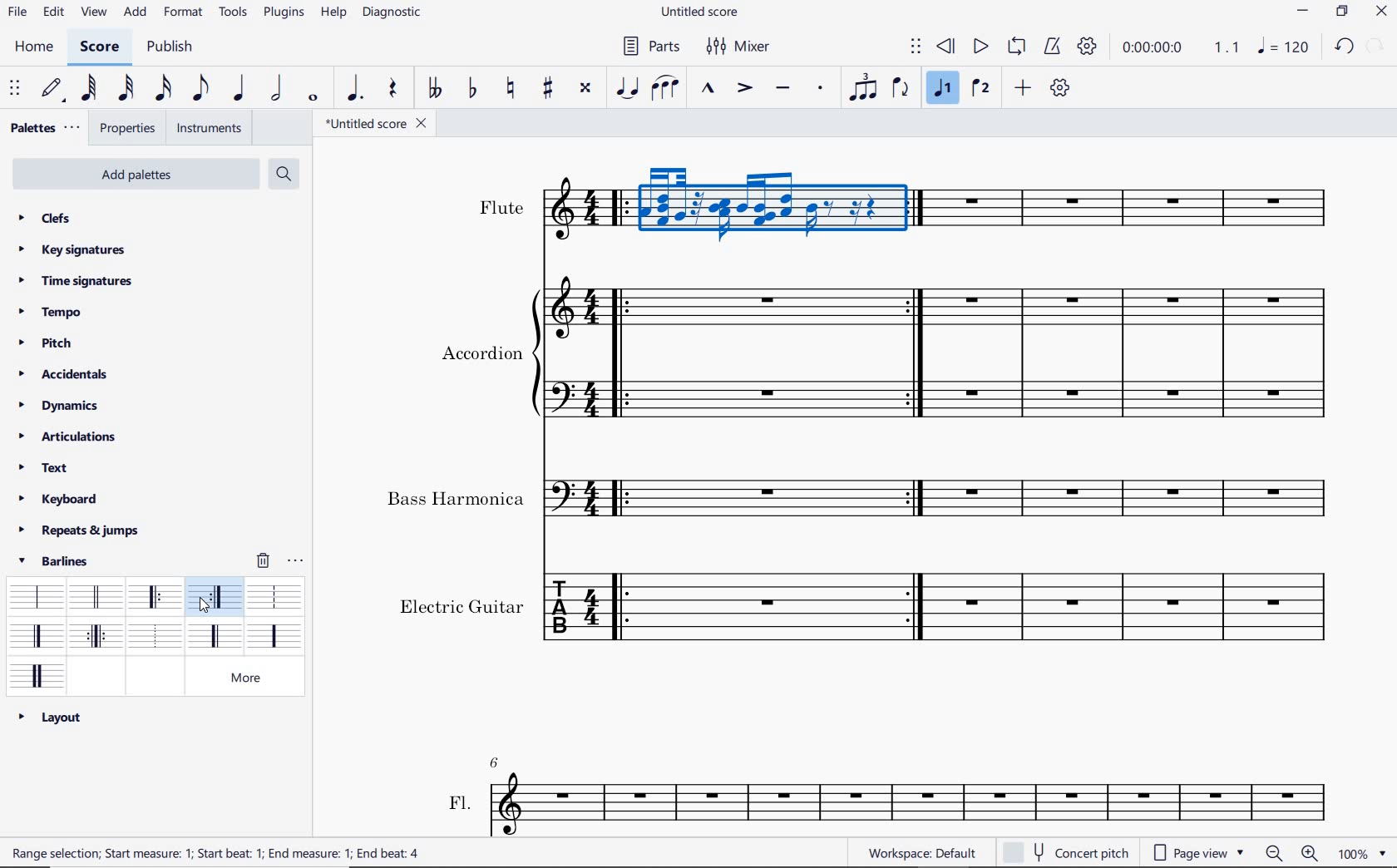  Describe the element at coordinates (916, 47) in the screenshot. I see `select to move` at that location.